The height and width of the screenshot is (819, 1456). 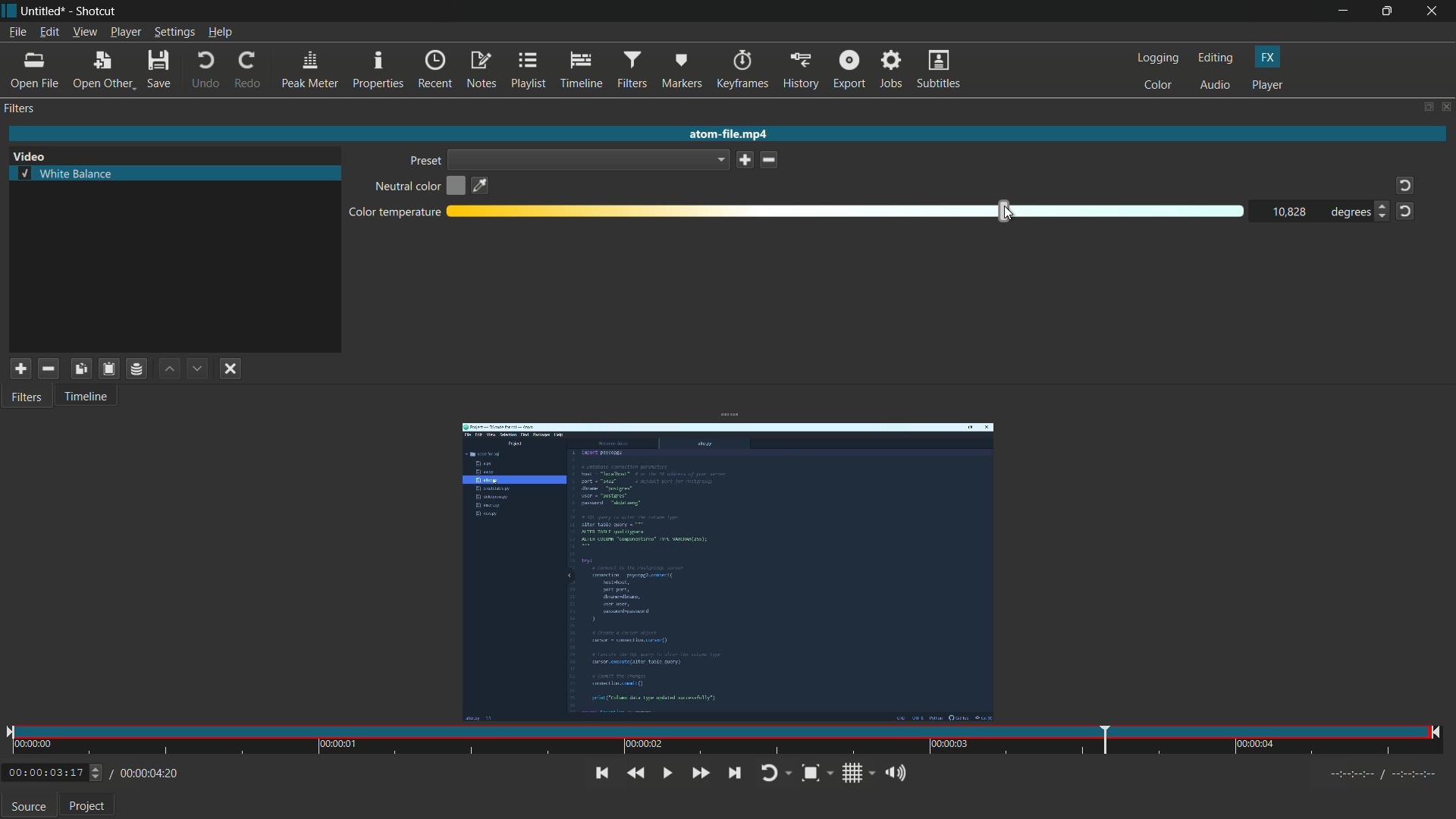 I want to click on toggle grid, so click(x=858, y=773).